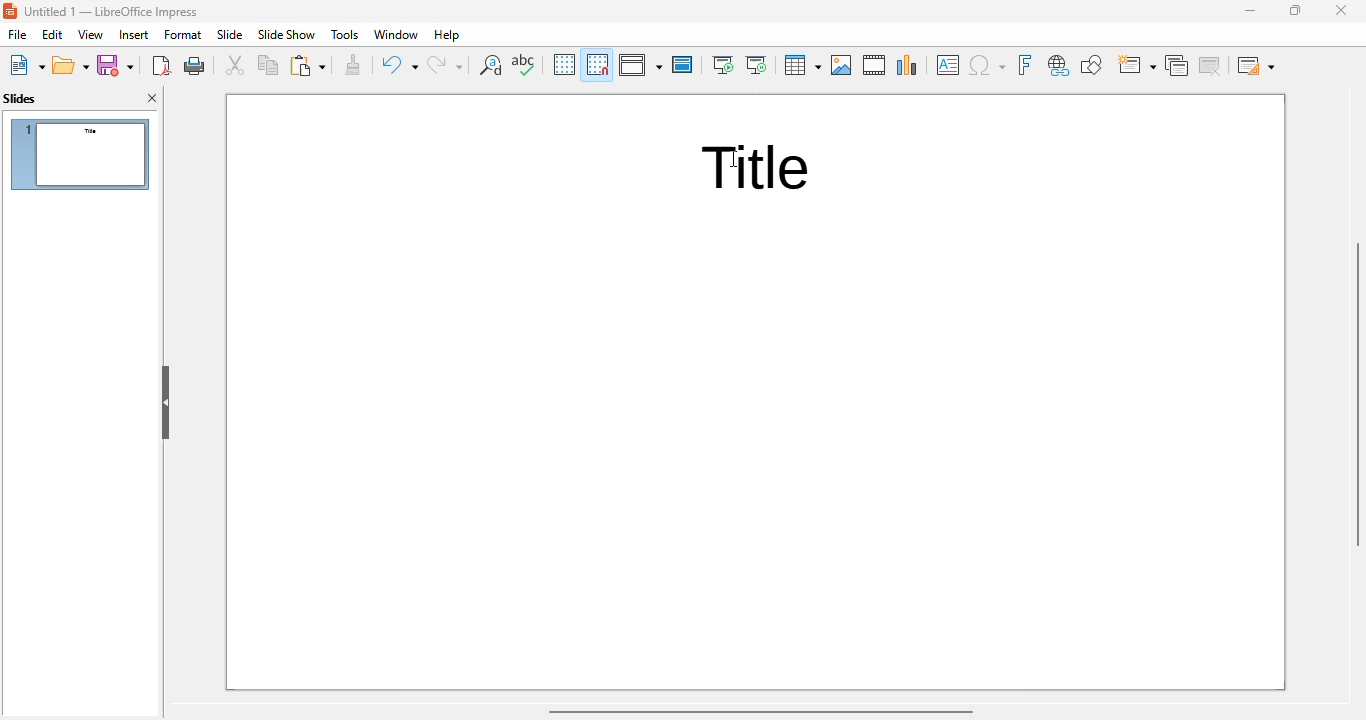 This screenshot has width=1366, height=720. I want to click on slide layout, so click(1256, 65).